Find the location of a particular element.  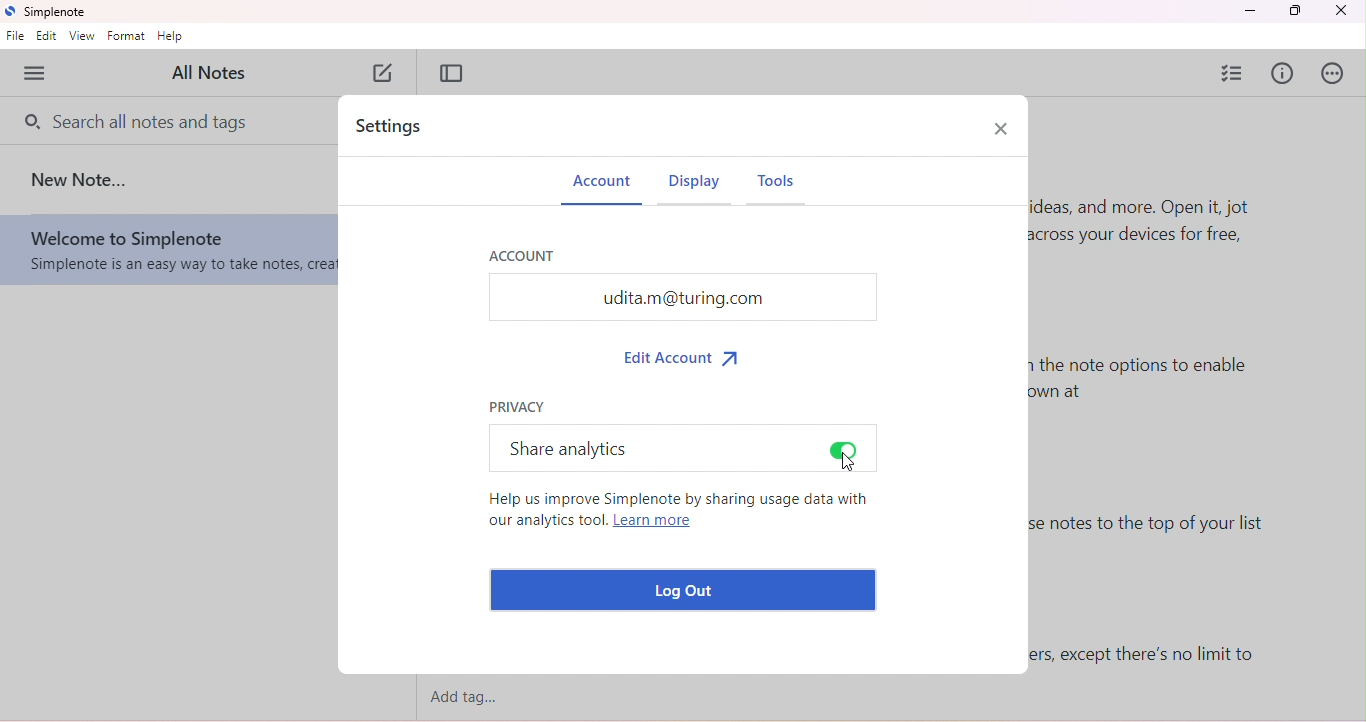

text on pinned notes is located at coordinates (1164, 533).